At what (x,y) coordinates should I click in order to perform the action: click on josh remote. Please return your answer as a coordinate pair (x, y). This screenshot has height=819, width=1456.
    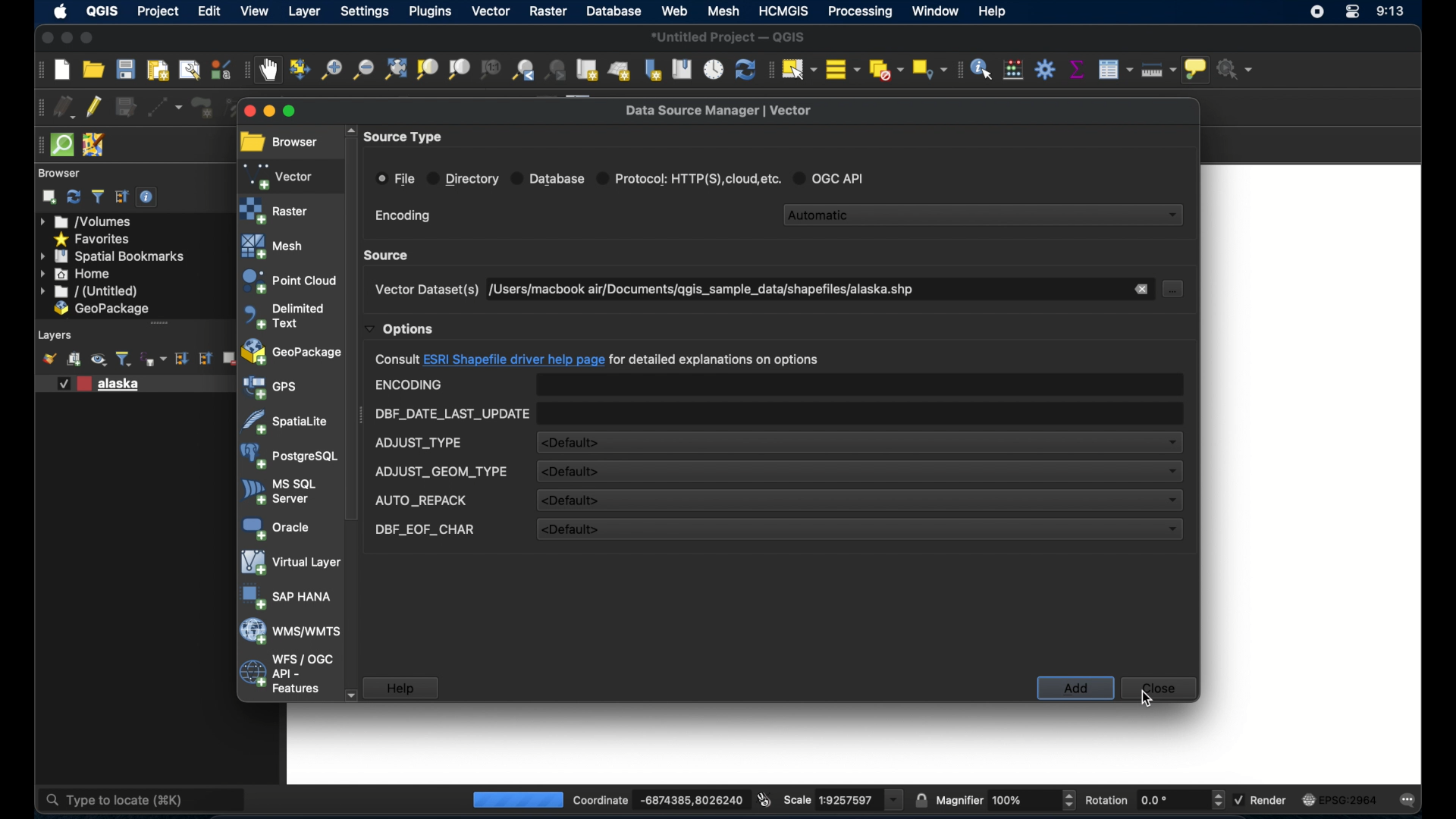
    Looking at the image, I should click on (94, 143).